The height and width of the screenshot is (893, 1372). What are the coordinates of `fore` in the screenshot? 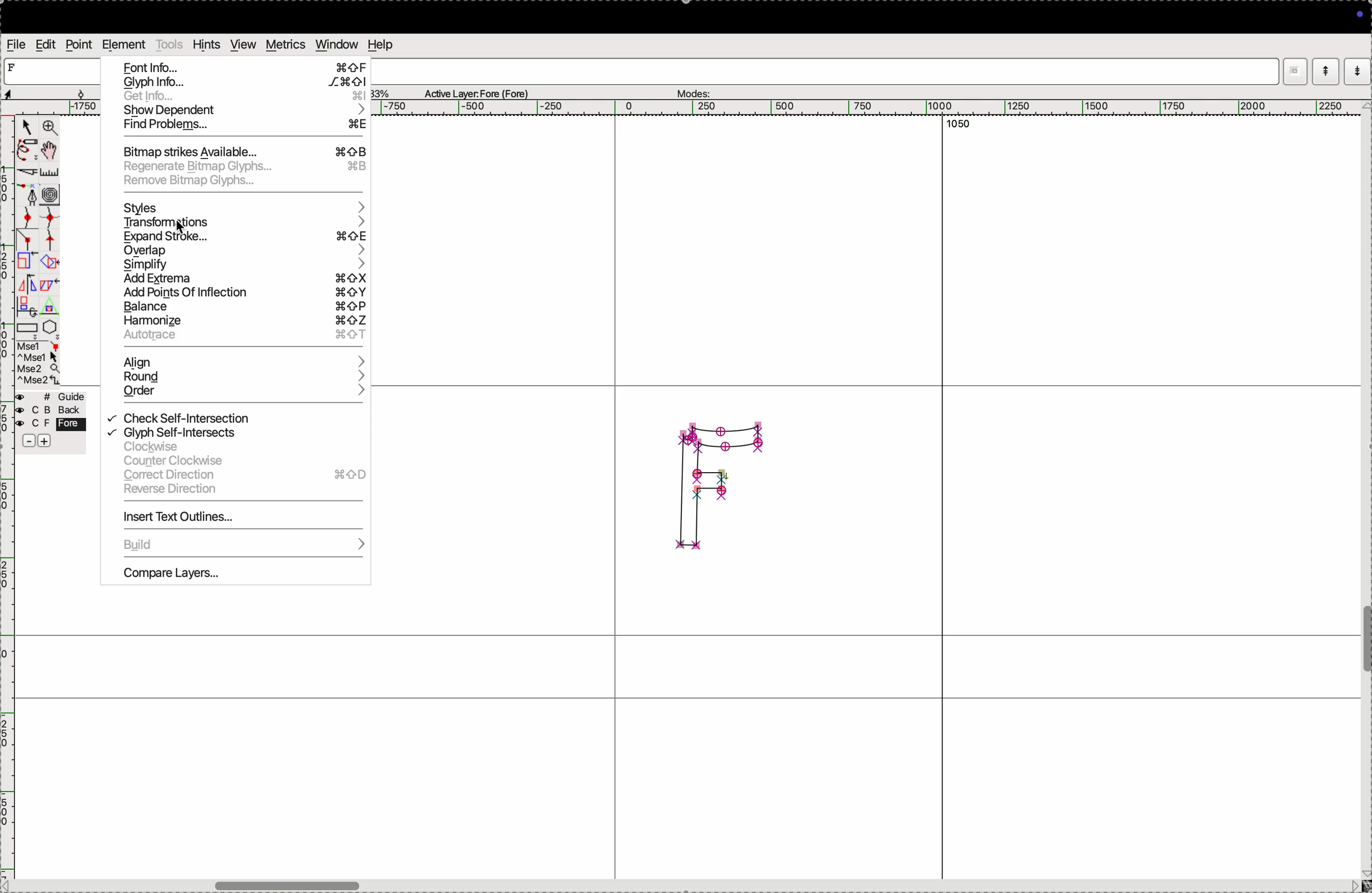 It's located at (52, 425).